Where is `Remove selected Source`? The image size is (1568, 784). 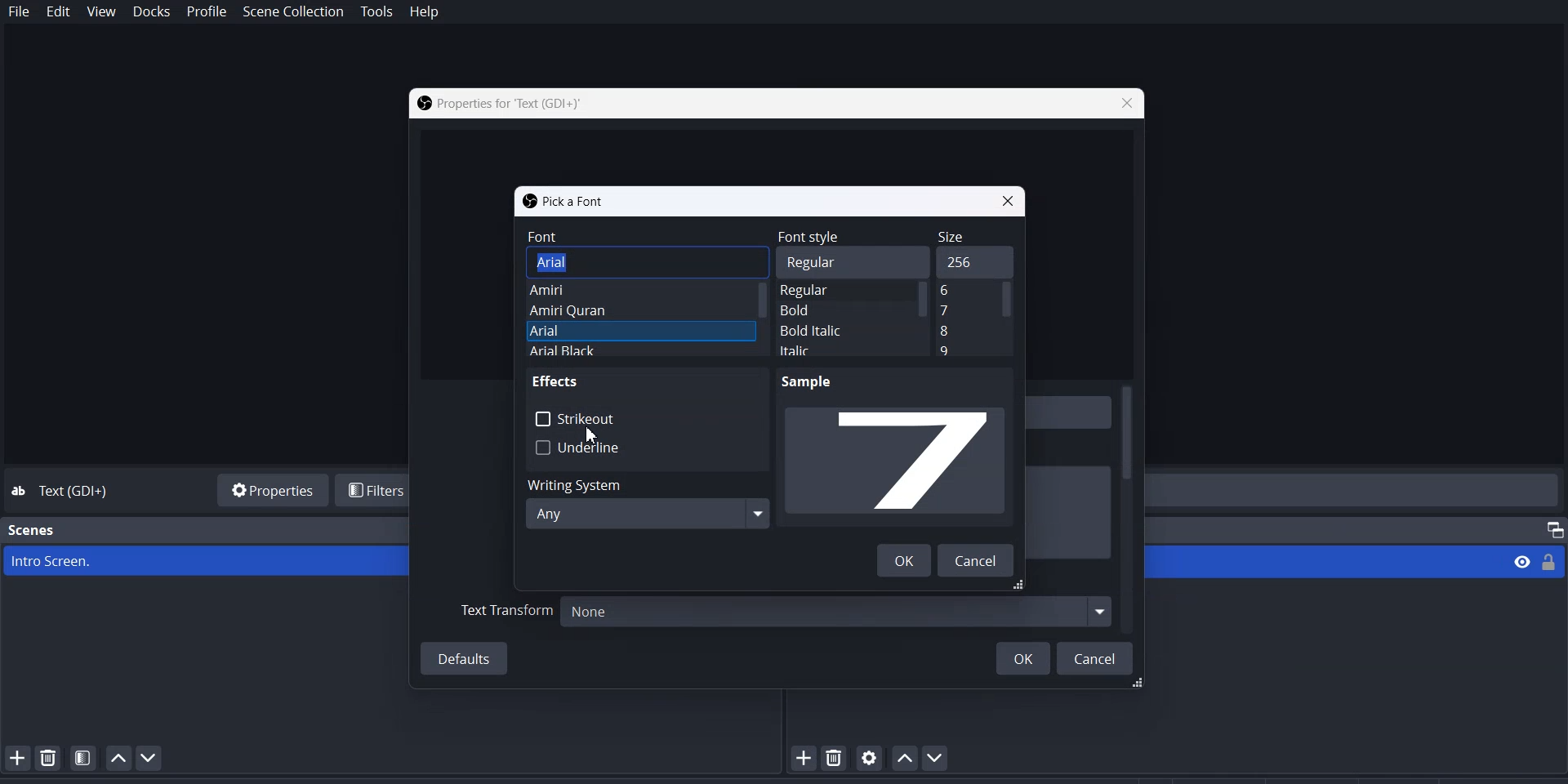
Remove selected Source is located at coordinates (836, 757).